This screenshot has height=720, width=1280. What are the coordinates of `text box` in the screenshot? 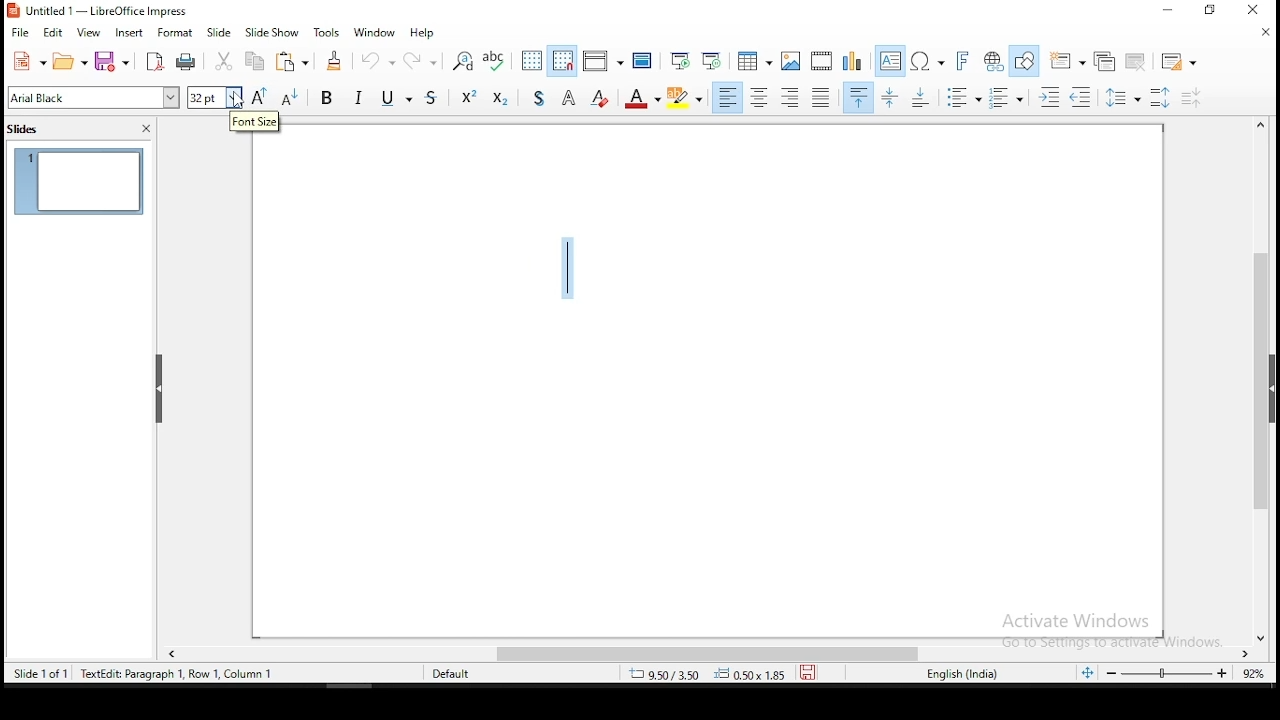 It's located at (891, 61).